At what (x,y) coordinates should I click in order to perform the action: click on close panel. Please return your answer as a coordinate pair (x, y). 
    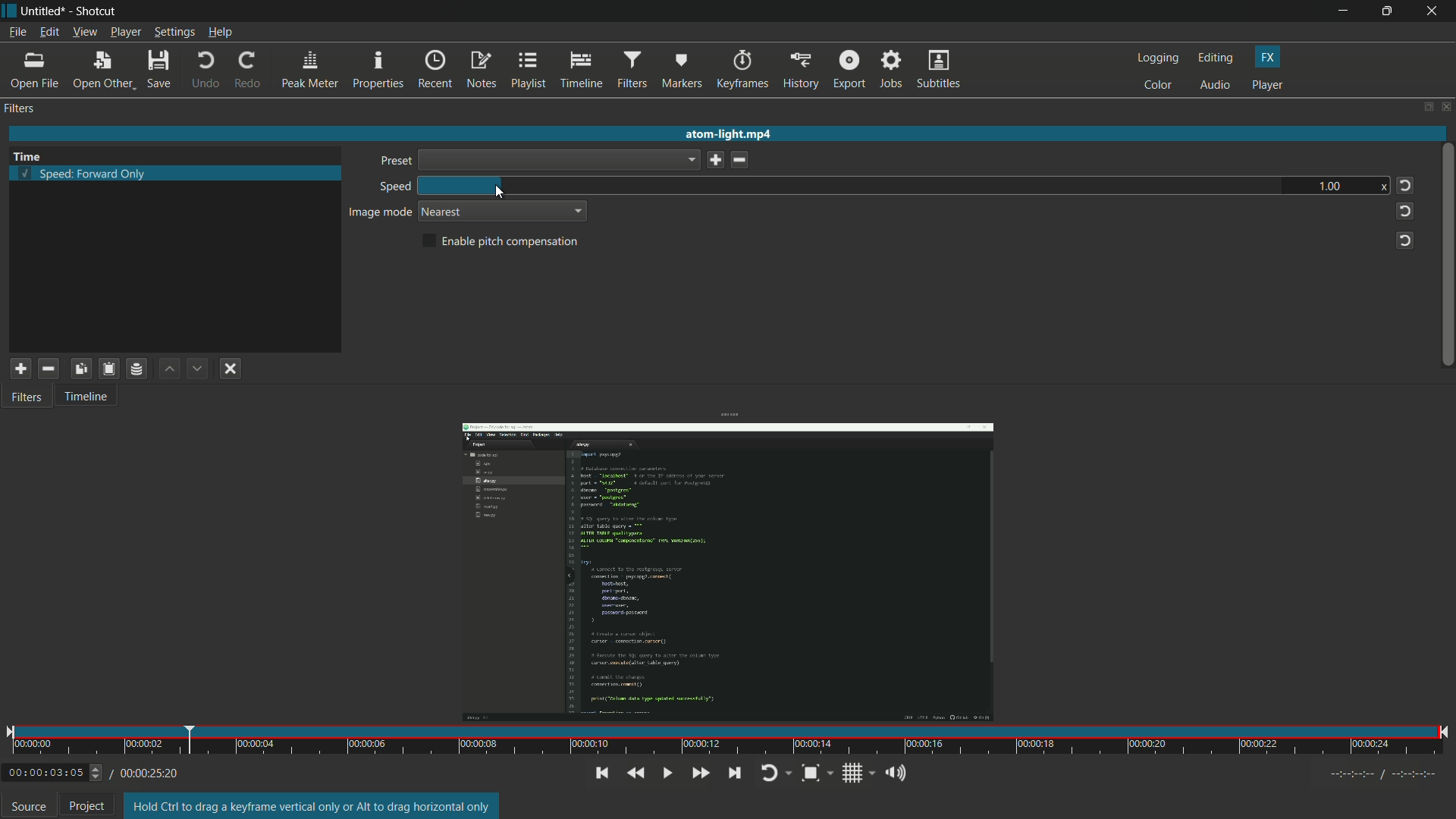
    Looking at the image, I should click on (1447, 106).